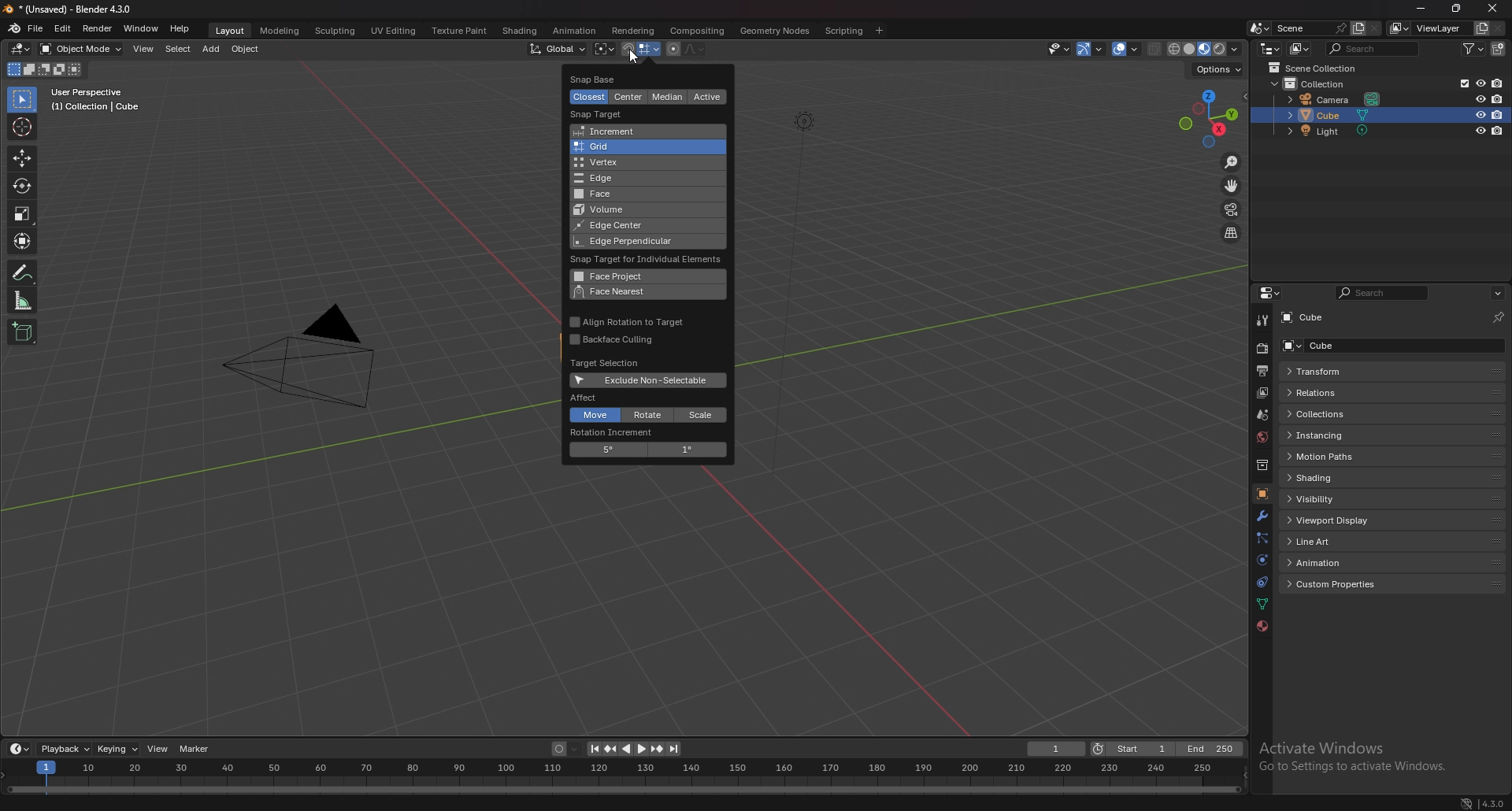 This screenshot has height=811, width=1512. What do you see at coordinates (459, 30) in the screenshot?
I see `texture paint` at bounding box center [459, 30].